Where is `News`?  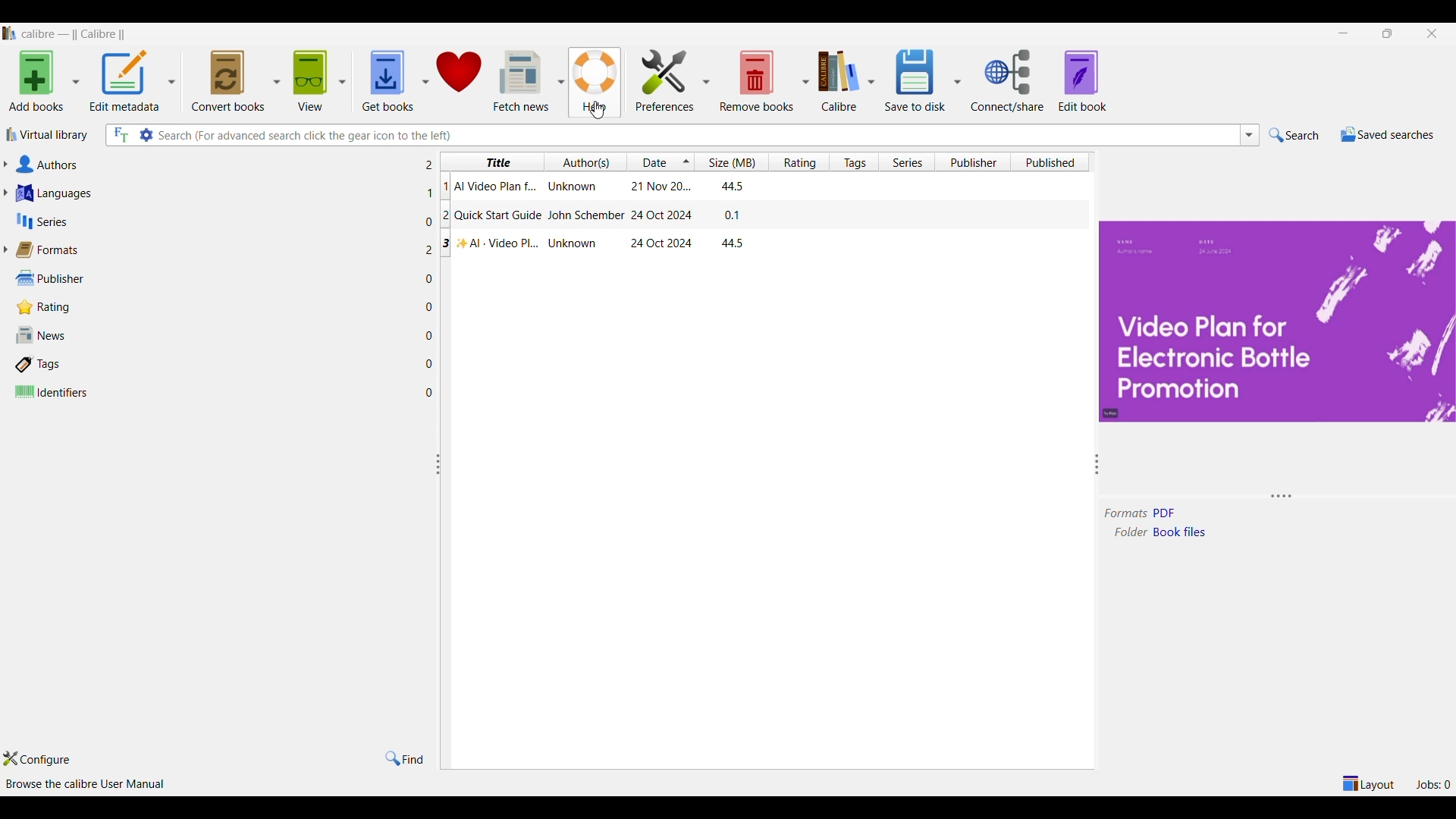 News is located at coordinates (209, 334).